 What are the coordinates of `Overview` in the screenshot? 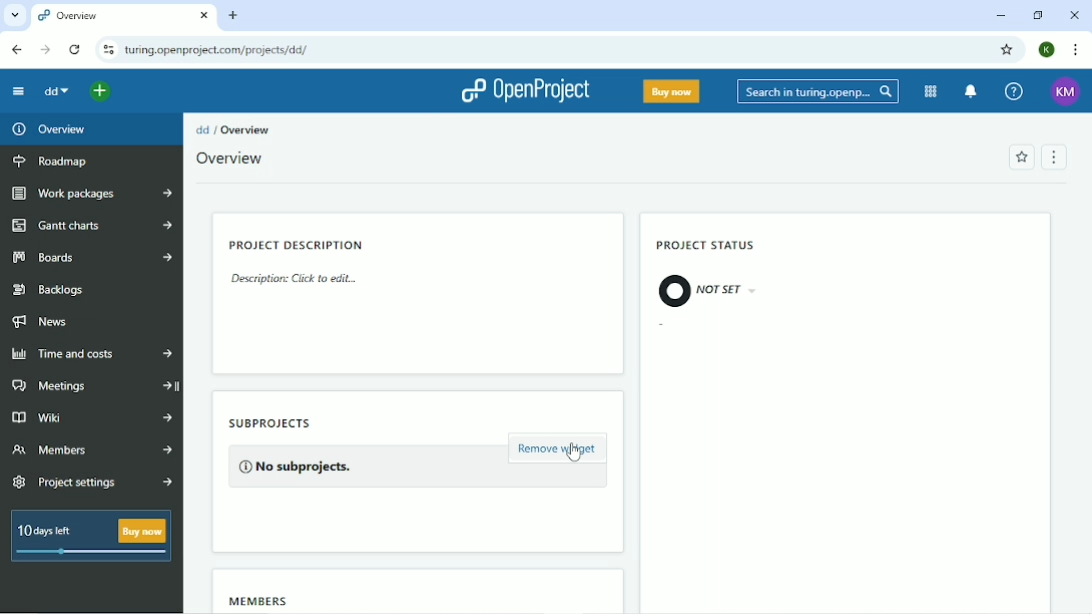 It's located at (232, 159).